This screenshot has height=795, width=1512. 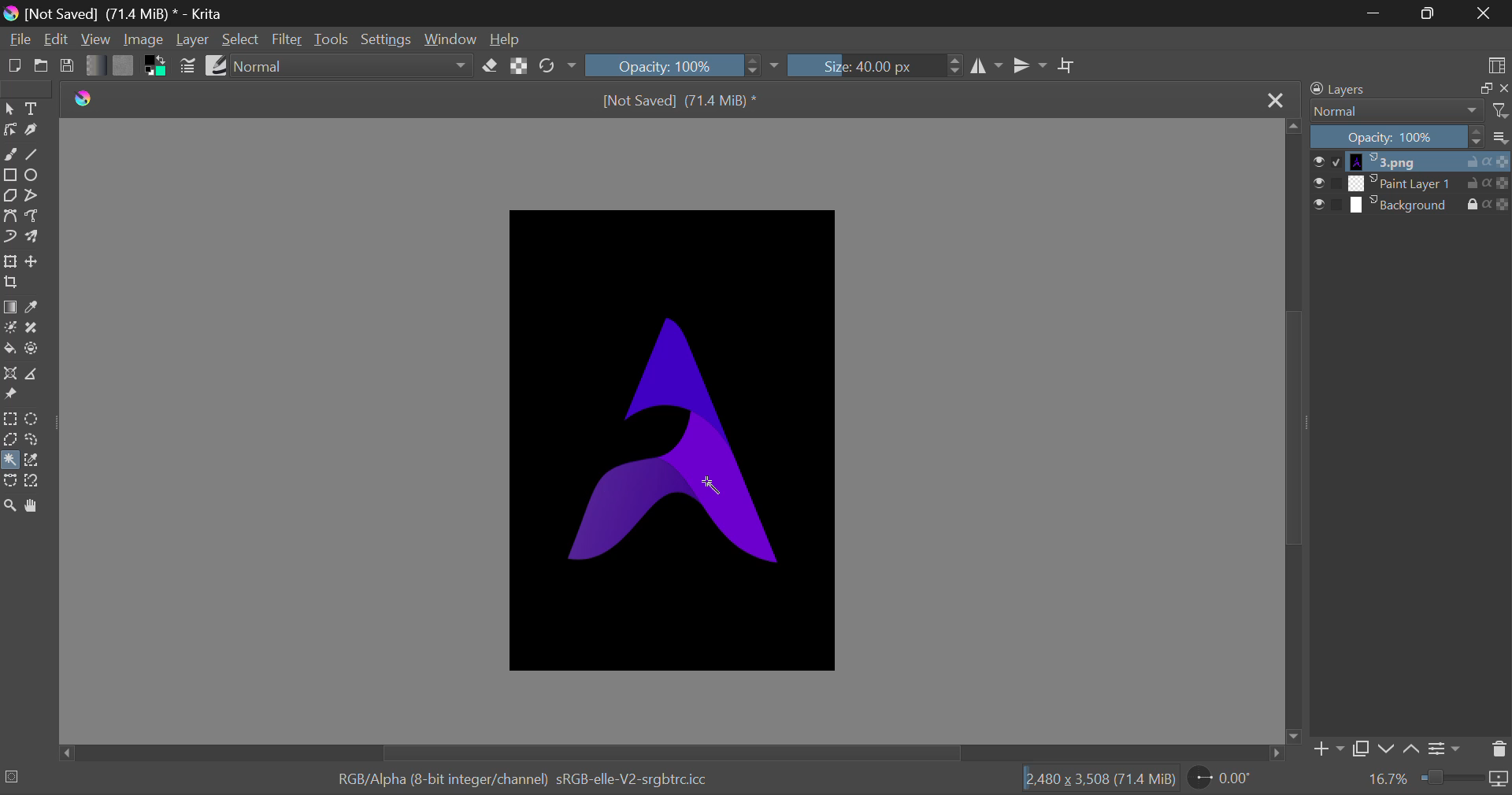 What do you see at coordinates (1230, 778) in the screenshot?
I see `Page Rotation` at bounding box center [1230, 778].